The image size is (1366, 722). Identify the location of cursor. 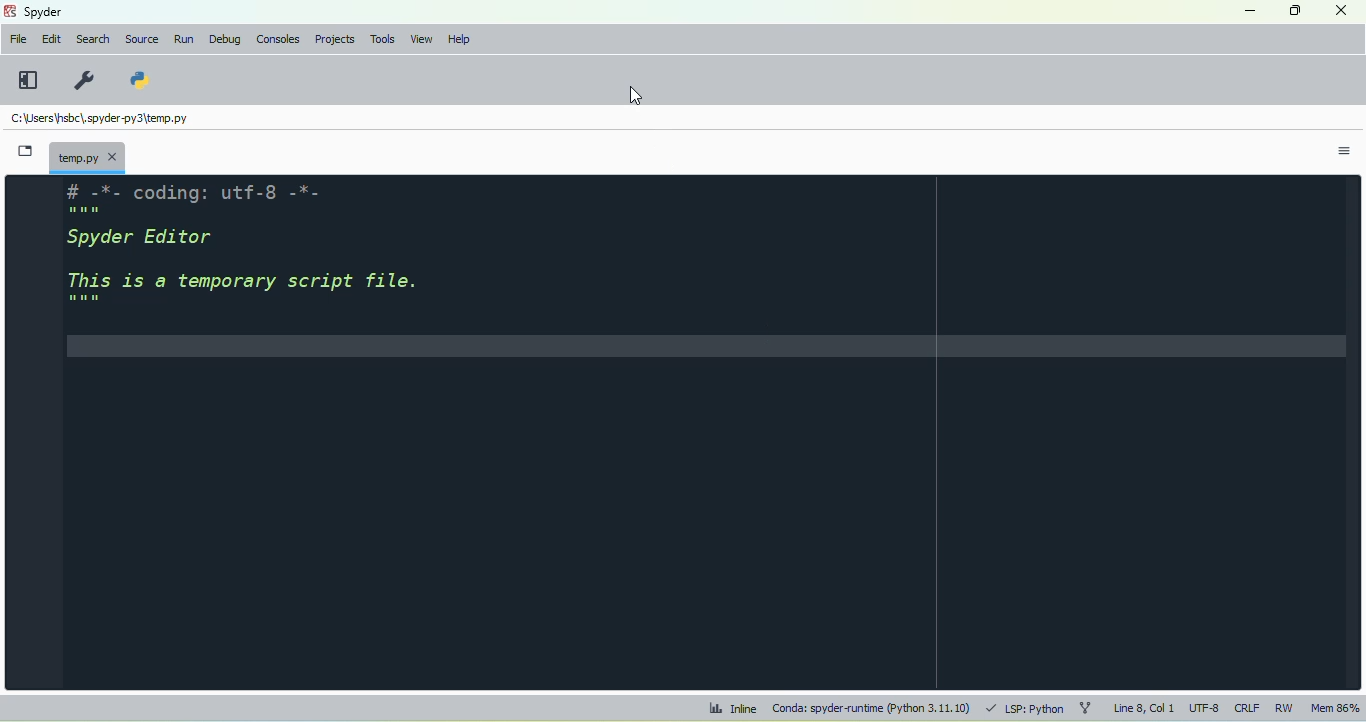
(635, 96).